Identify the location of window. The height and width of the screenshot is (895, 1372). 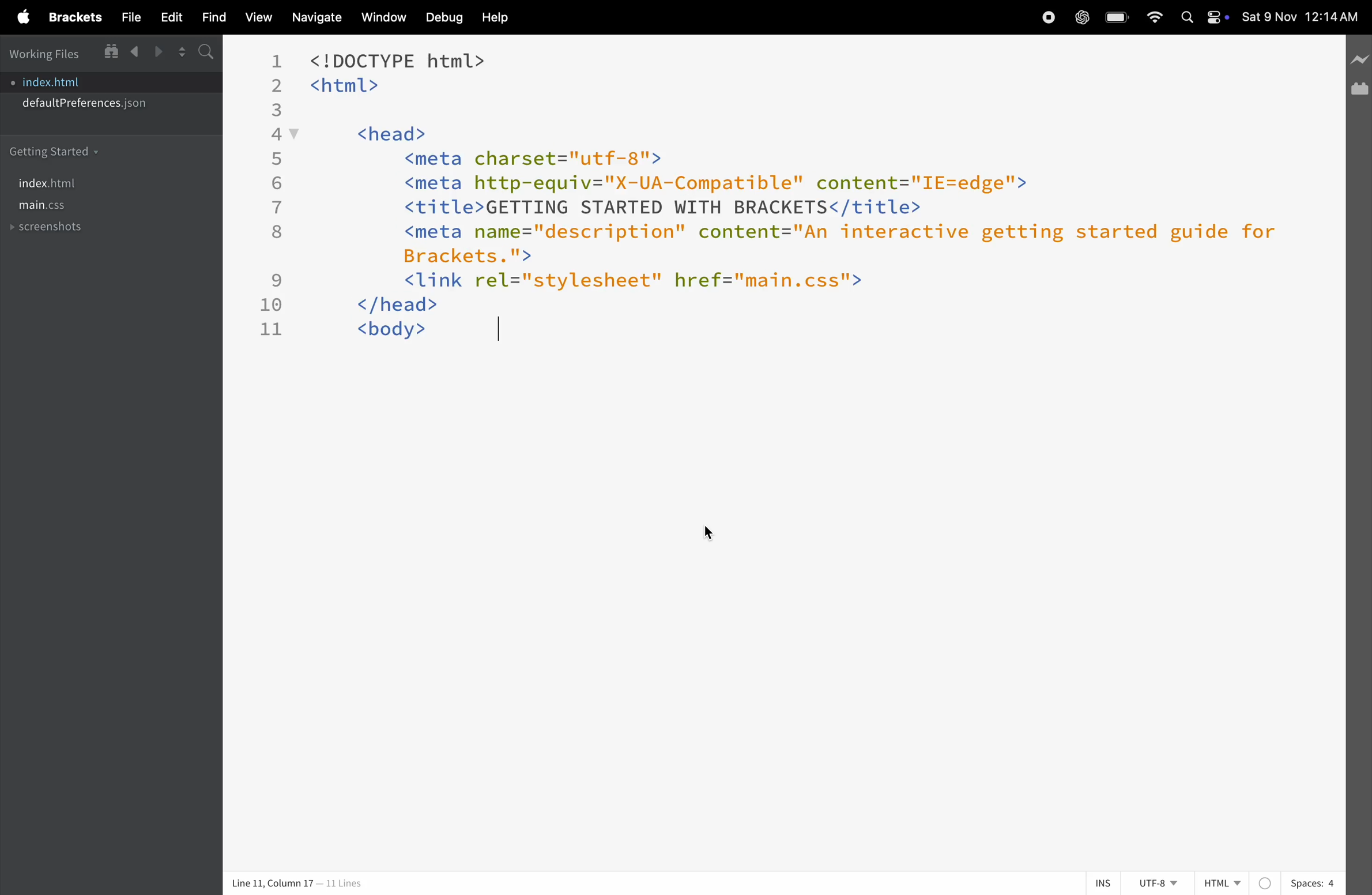
(383, 18).